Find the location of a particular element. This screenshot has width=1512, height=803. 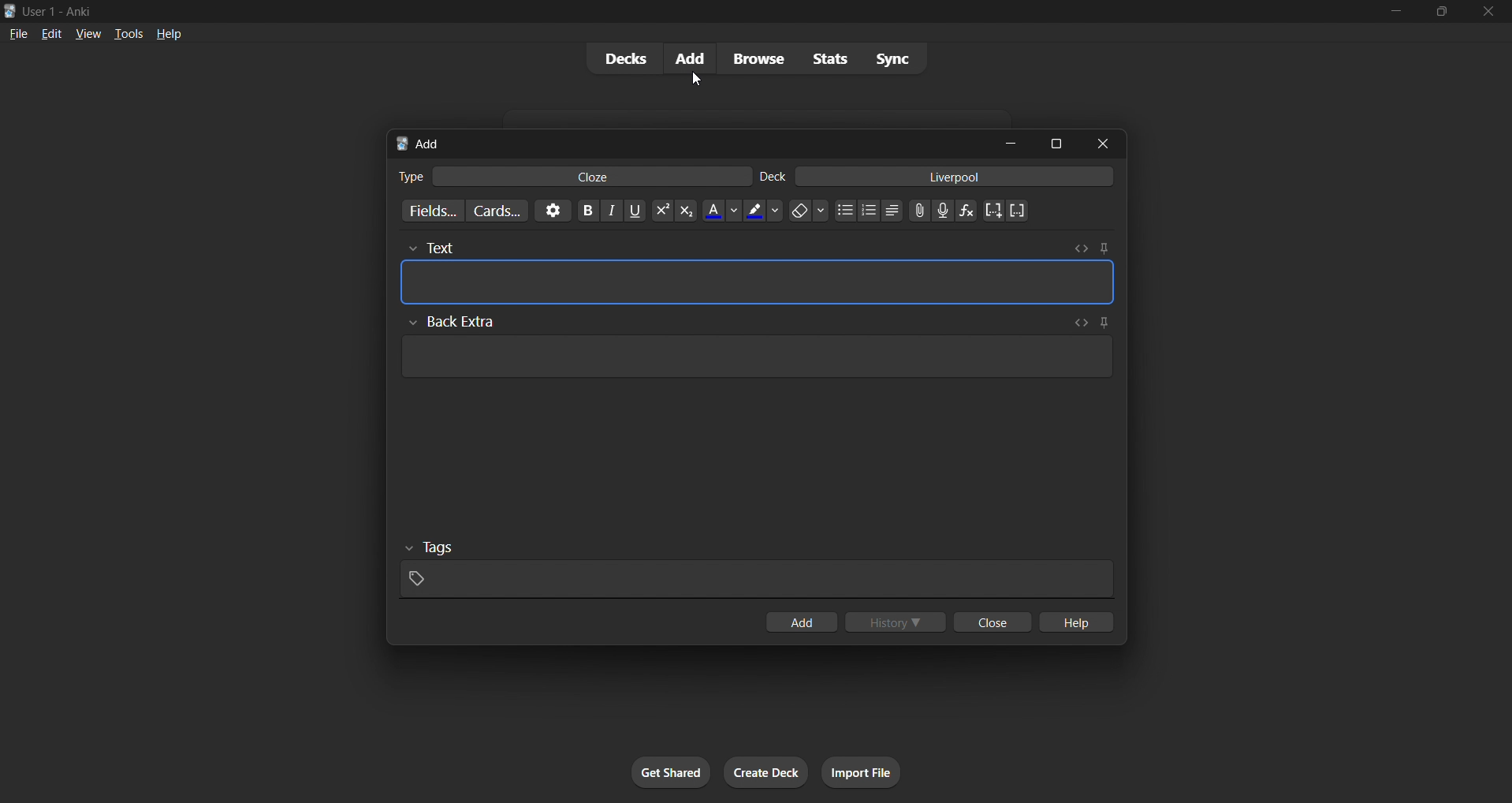

unordered list is located at coordinates (848, 213).